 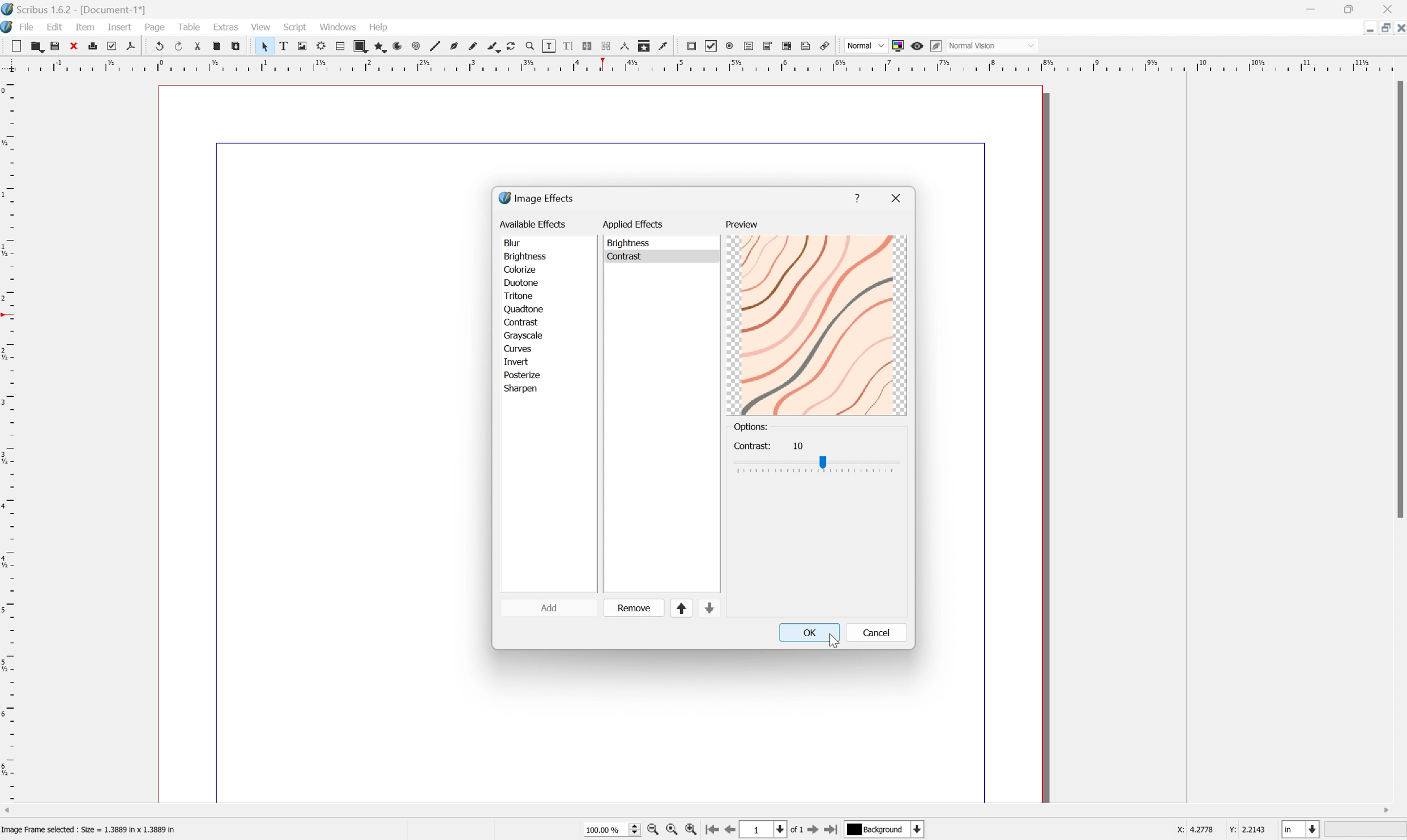 I want to click on Last Page, so click(x=835, y=829).